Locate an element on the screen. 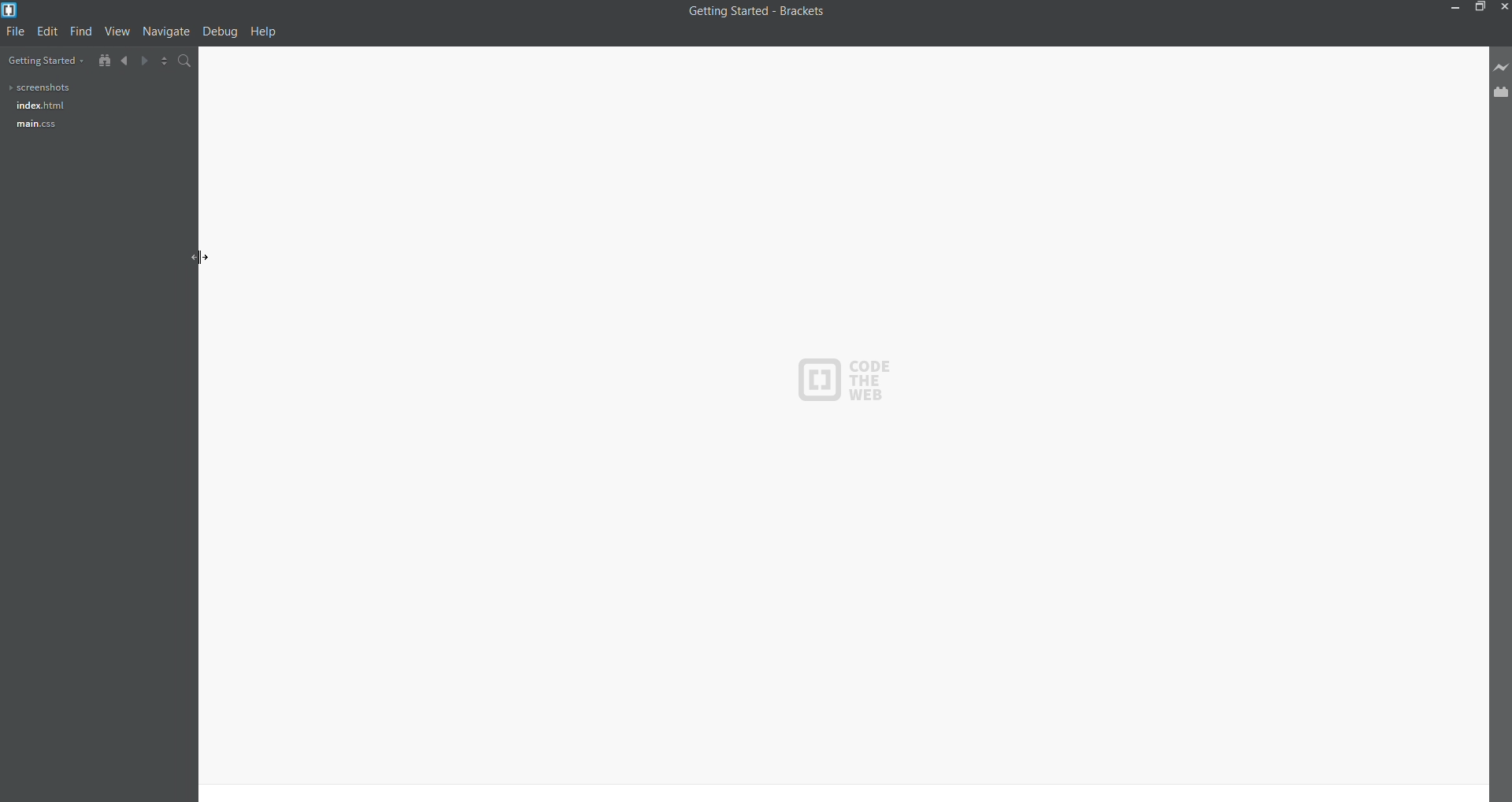 This screenshot has width=1512, height=802. split is located at coordinates (159, 62).